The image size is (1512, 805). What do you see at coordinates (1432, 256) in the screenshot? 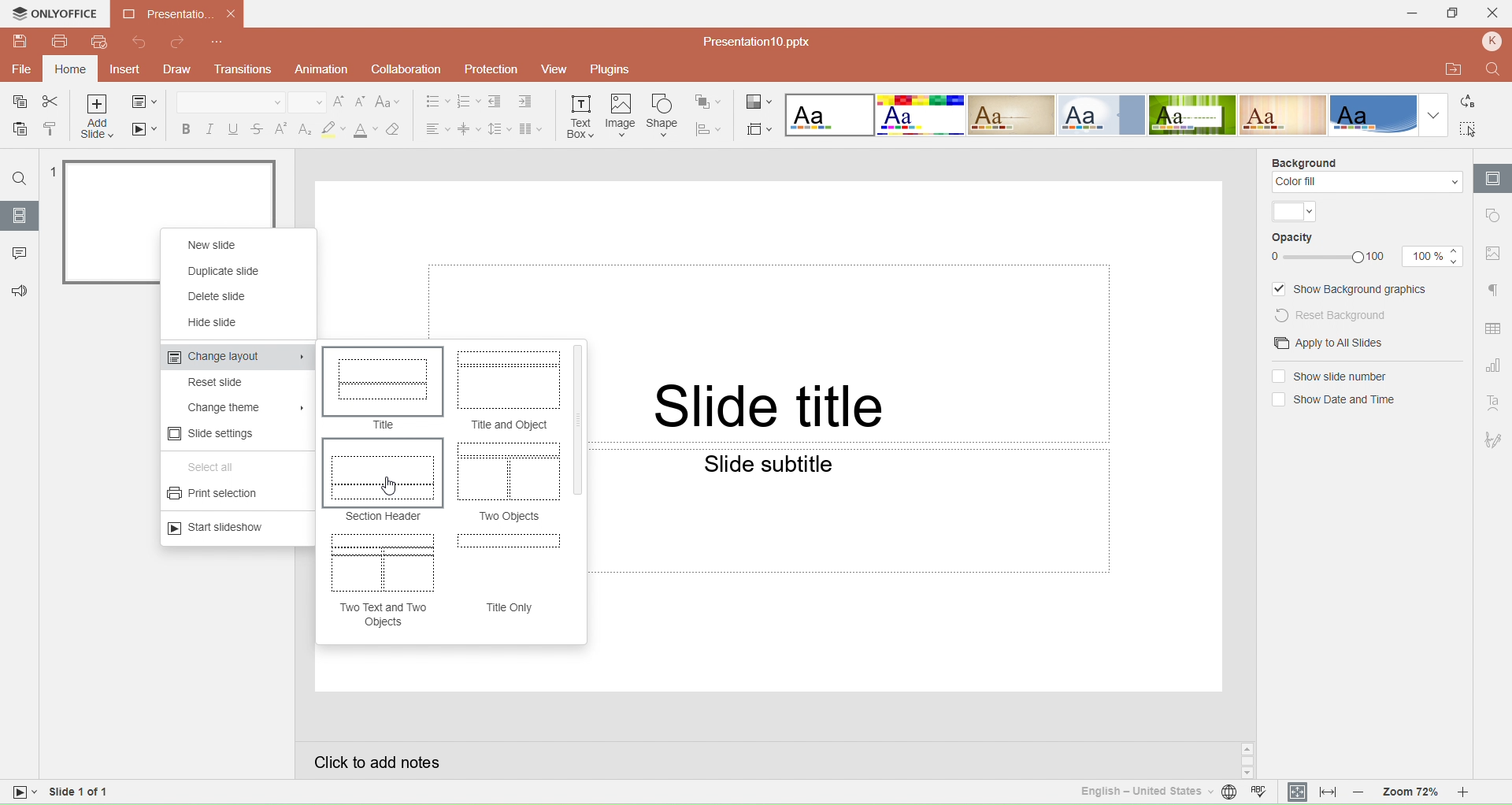
I see `Opacity size` at bounding box center [1432, 256].